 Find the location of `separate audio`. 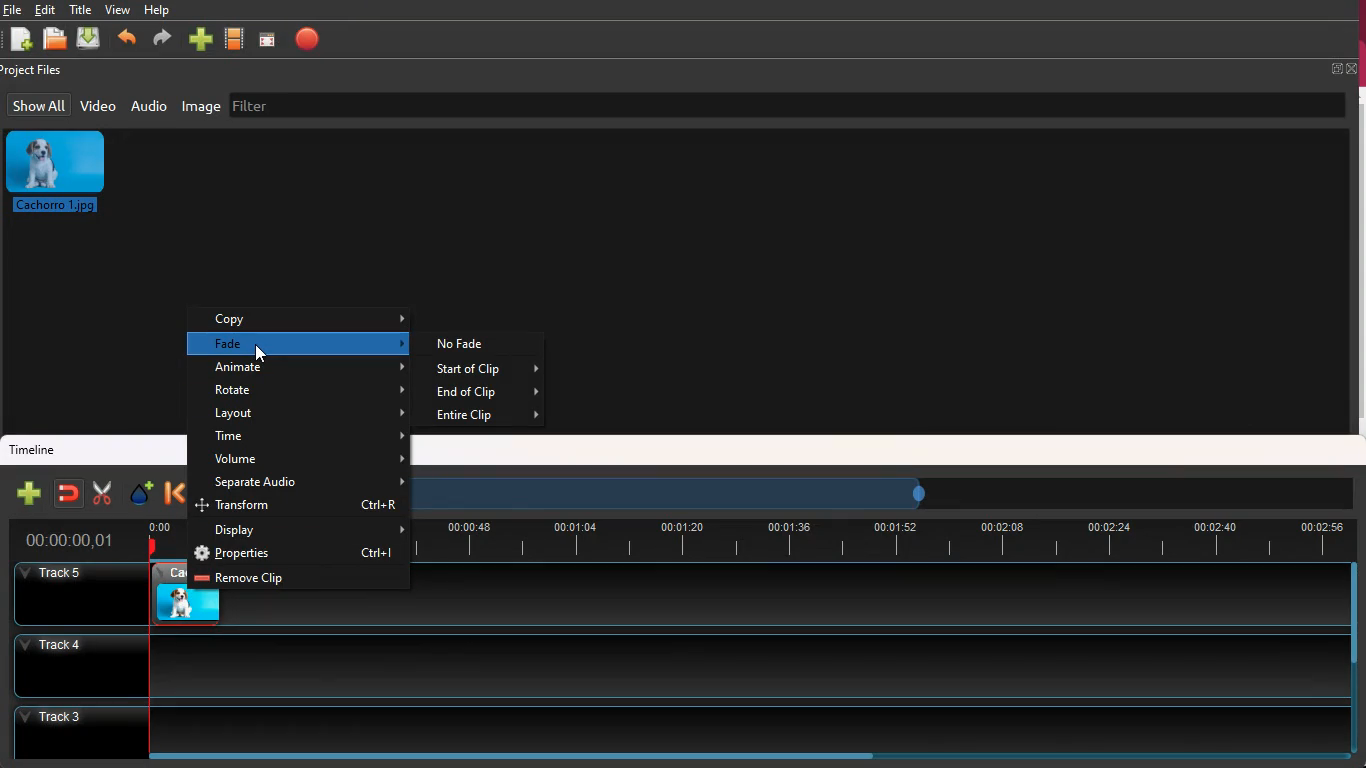

separate audio is located at coordinates (301, 483).